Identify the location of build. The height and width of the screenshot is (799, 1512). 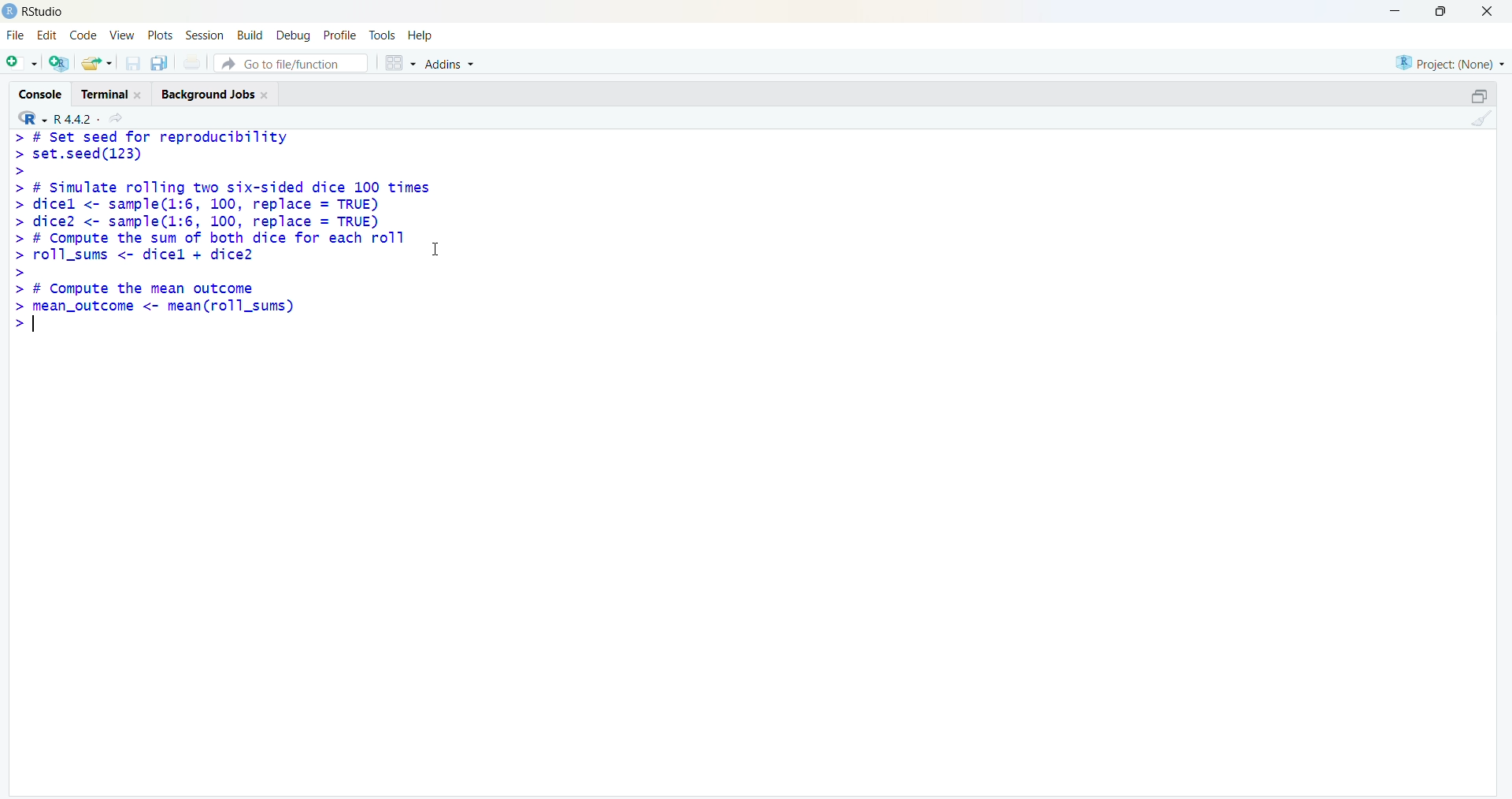
(249, 36).